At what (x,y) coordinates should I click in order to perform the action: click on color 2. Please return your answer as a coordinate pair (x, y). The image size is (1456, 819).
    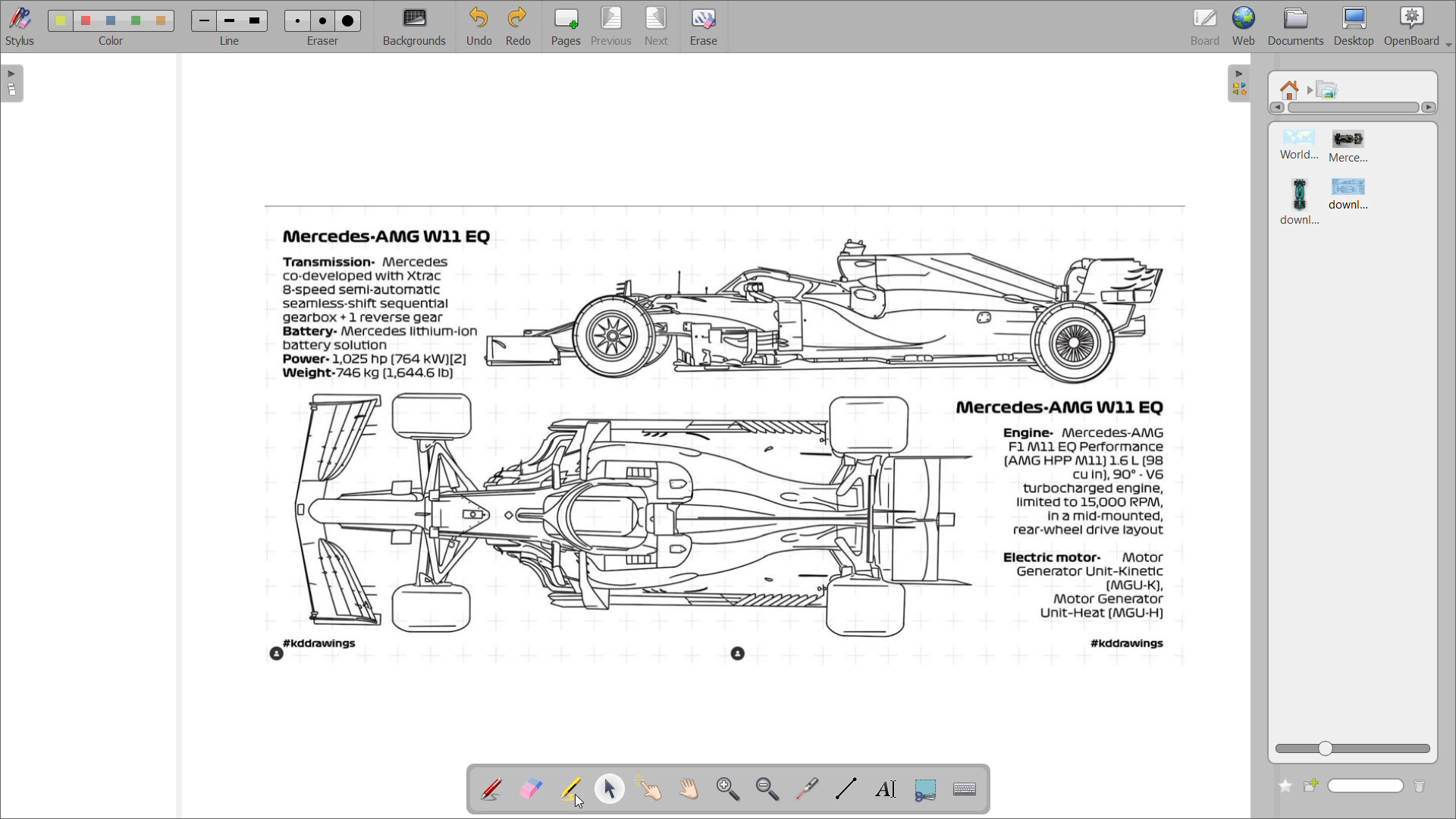
    Looking at the image, I should click on (85, 20).